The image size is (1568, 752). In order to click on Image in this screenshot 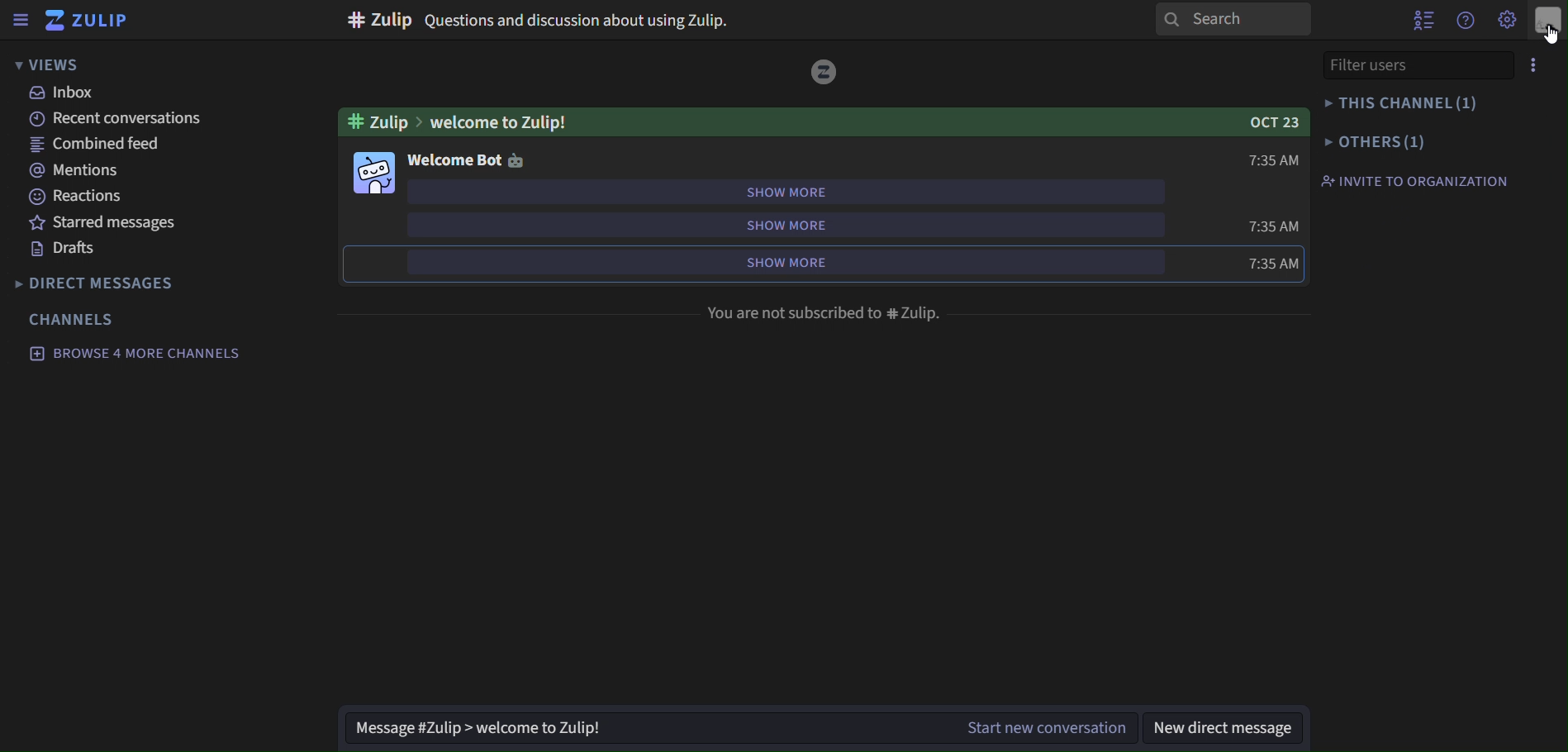, I will do `click(518, 159)`.